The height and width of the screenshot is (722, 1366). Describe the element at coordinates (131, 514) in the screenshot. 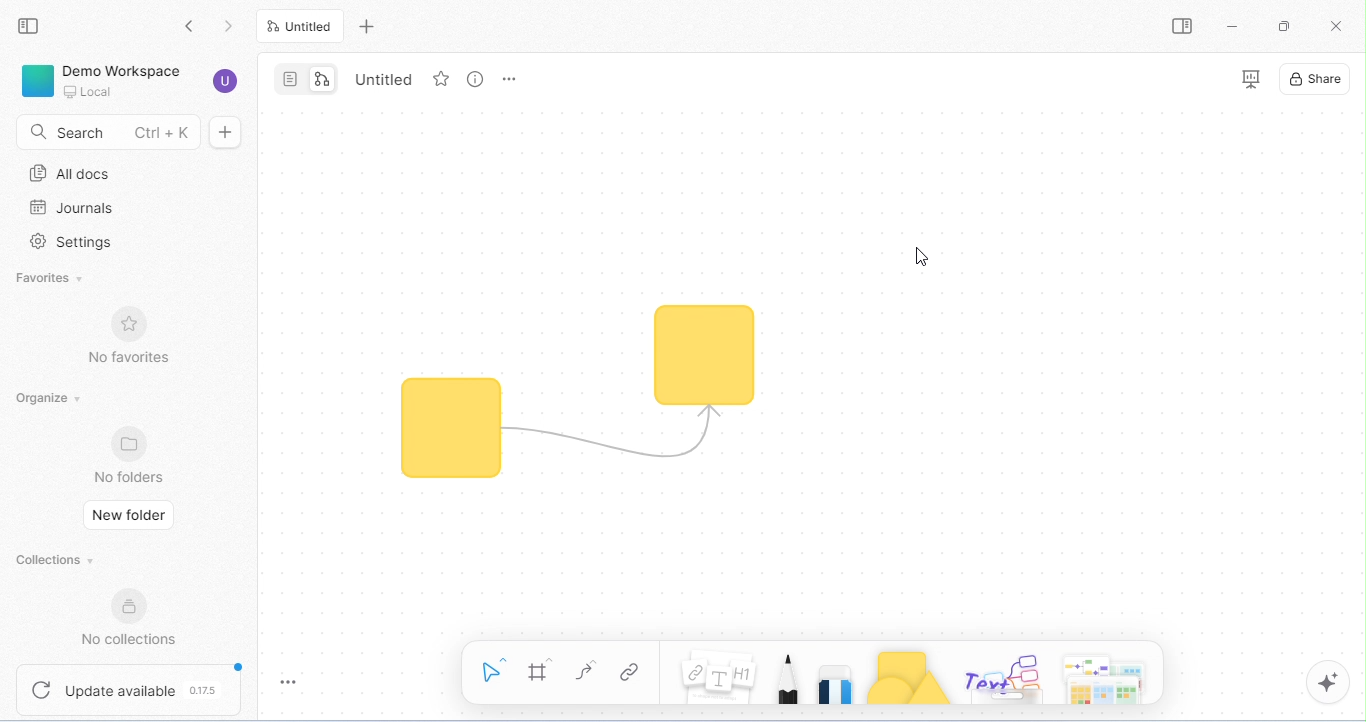

I see `new folder` at that location.